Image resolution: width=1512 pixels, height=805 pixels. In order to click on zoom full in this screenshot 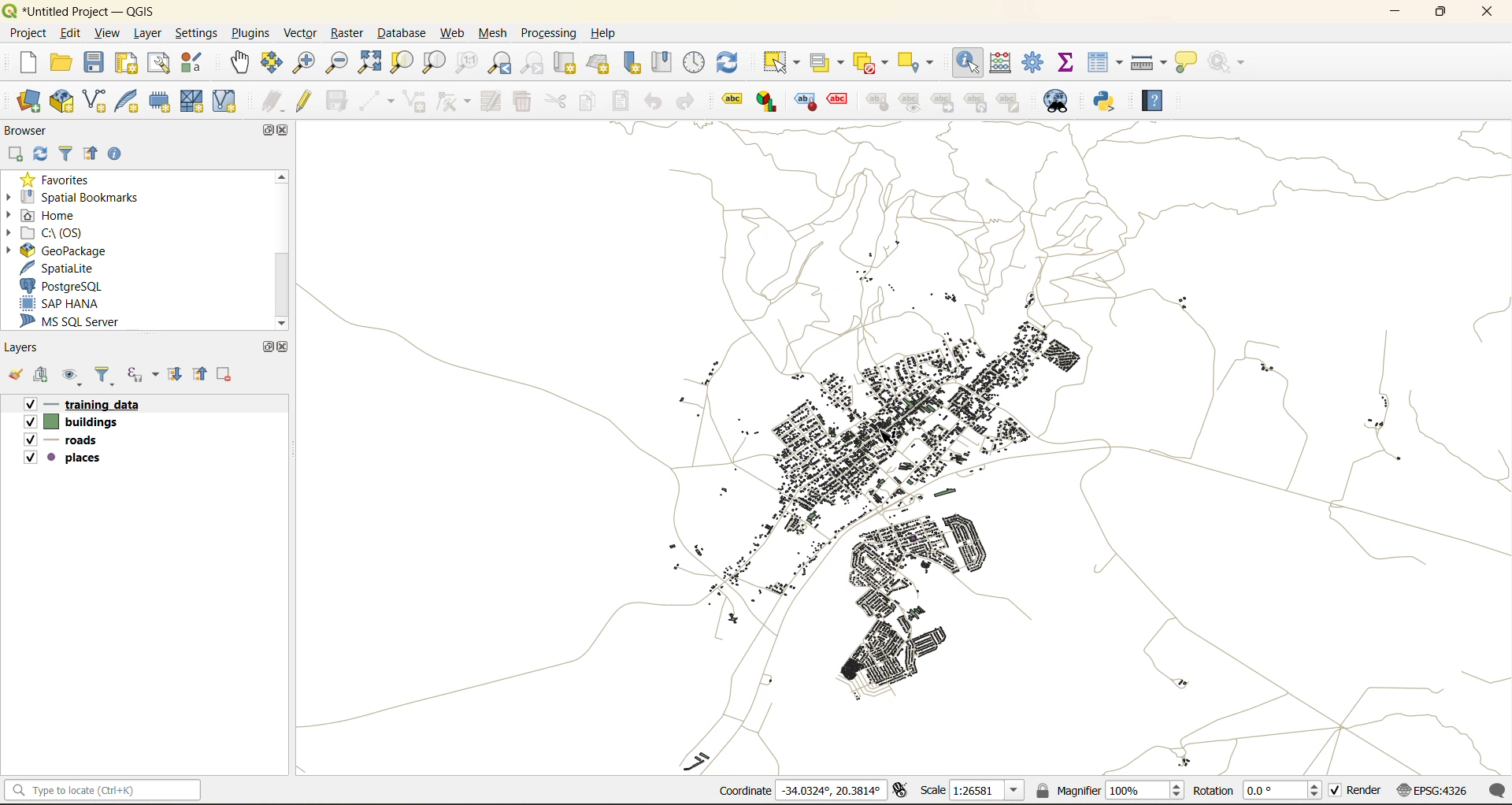, I will do `click(369, 63)`.